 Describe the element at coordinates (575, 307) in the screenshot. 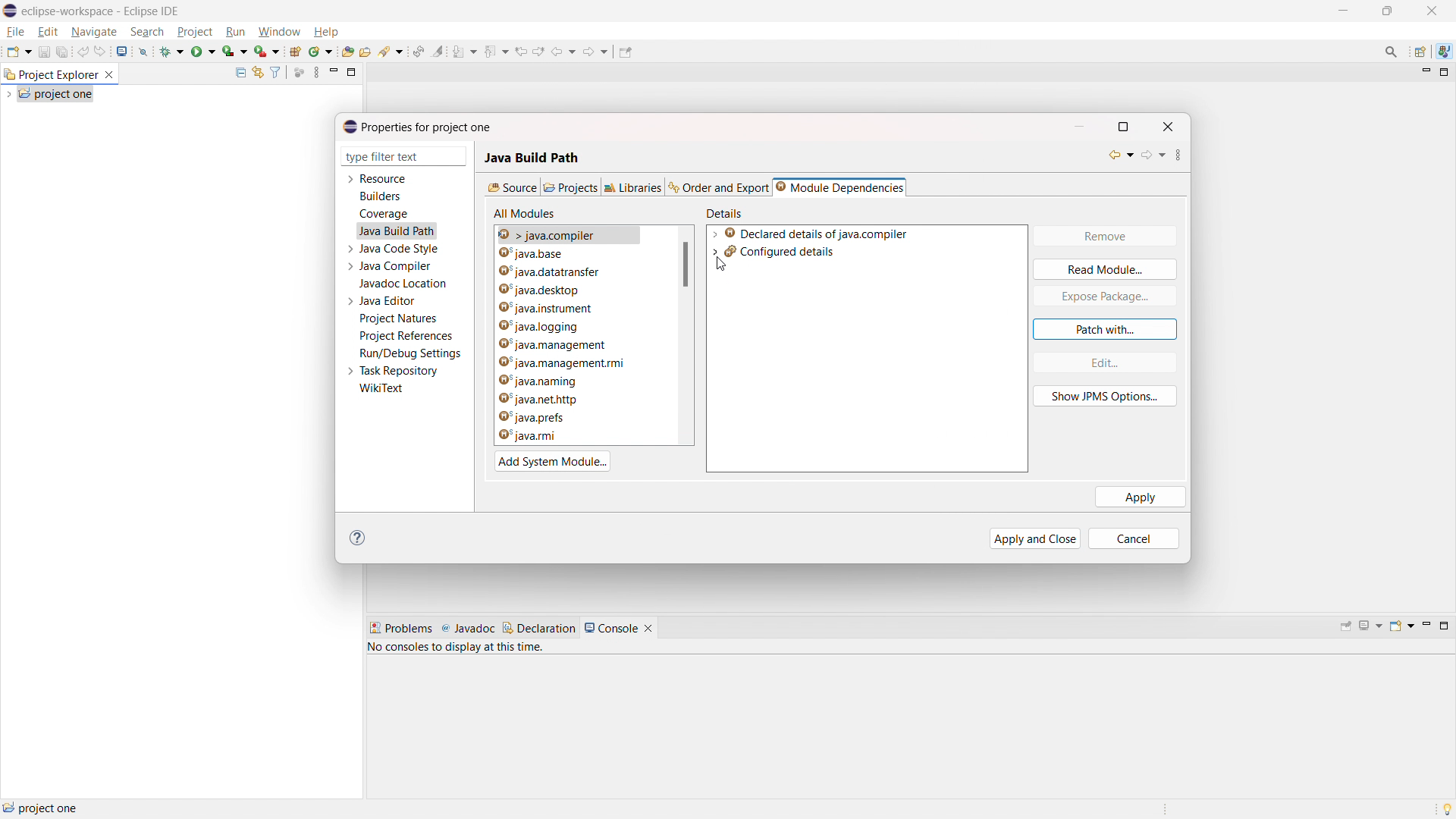

I see `java.instrument` at that location.